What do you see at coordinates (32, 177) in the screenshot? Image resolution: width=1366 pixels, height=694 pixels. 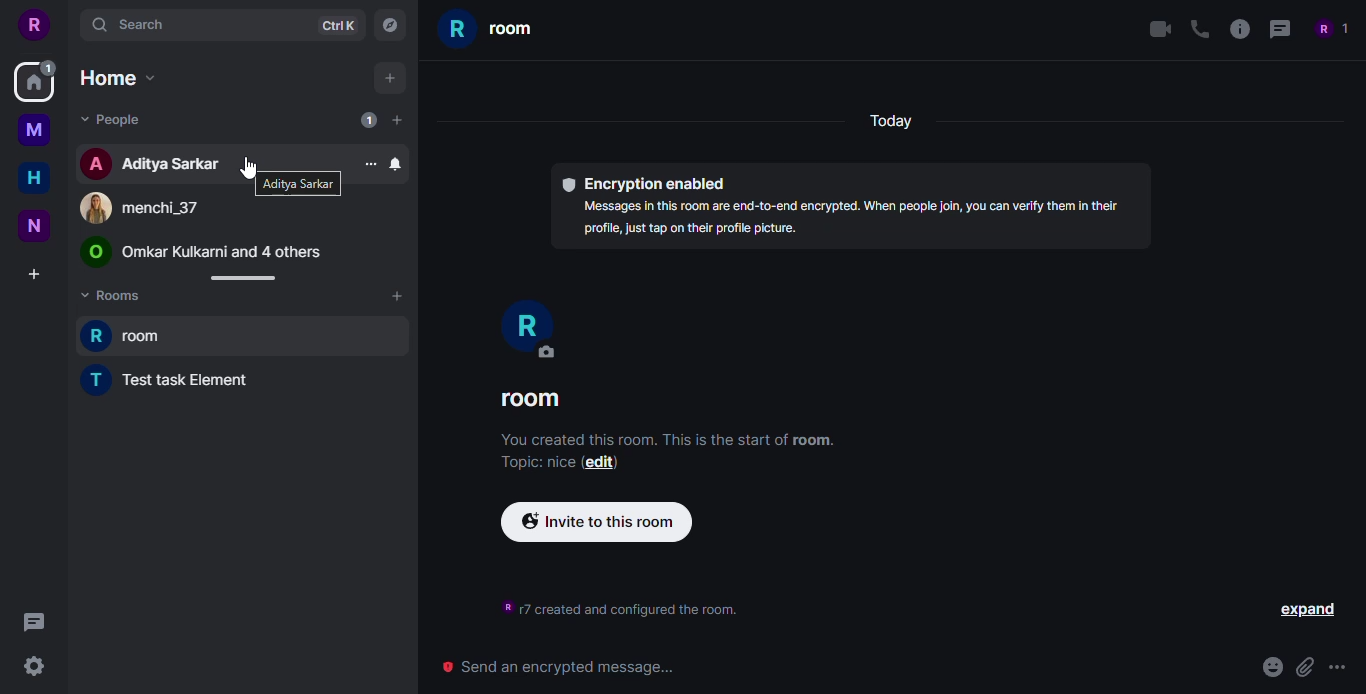 I see `home` at bounding box center [32, 177].